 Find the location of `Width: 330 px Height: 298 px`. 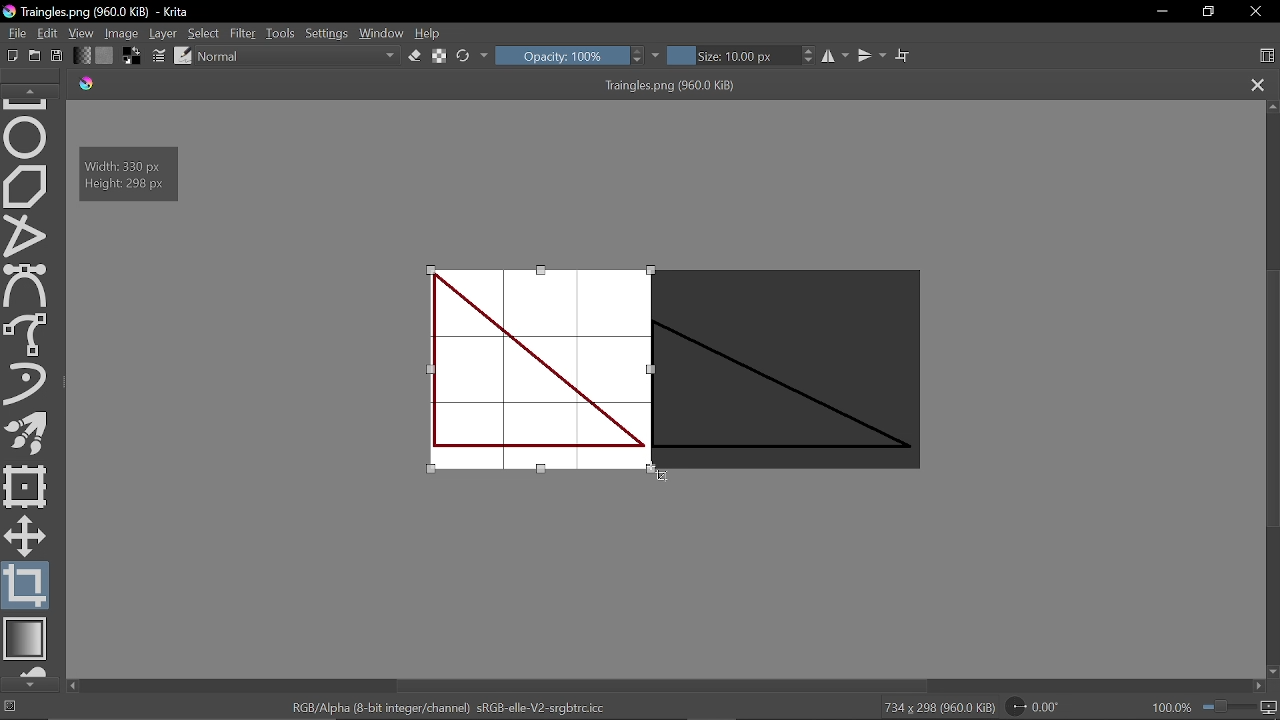

Width: 330 px Height: 298 px is located at coordinates (130, 174).